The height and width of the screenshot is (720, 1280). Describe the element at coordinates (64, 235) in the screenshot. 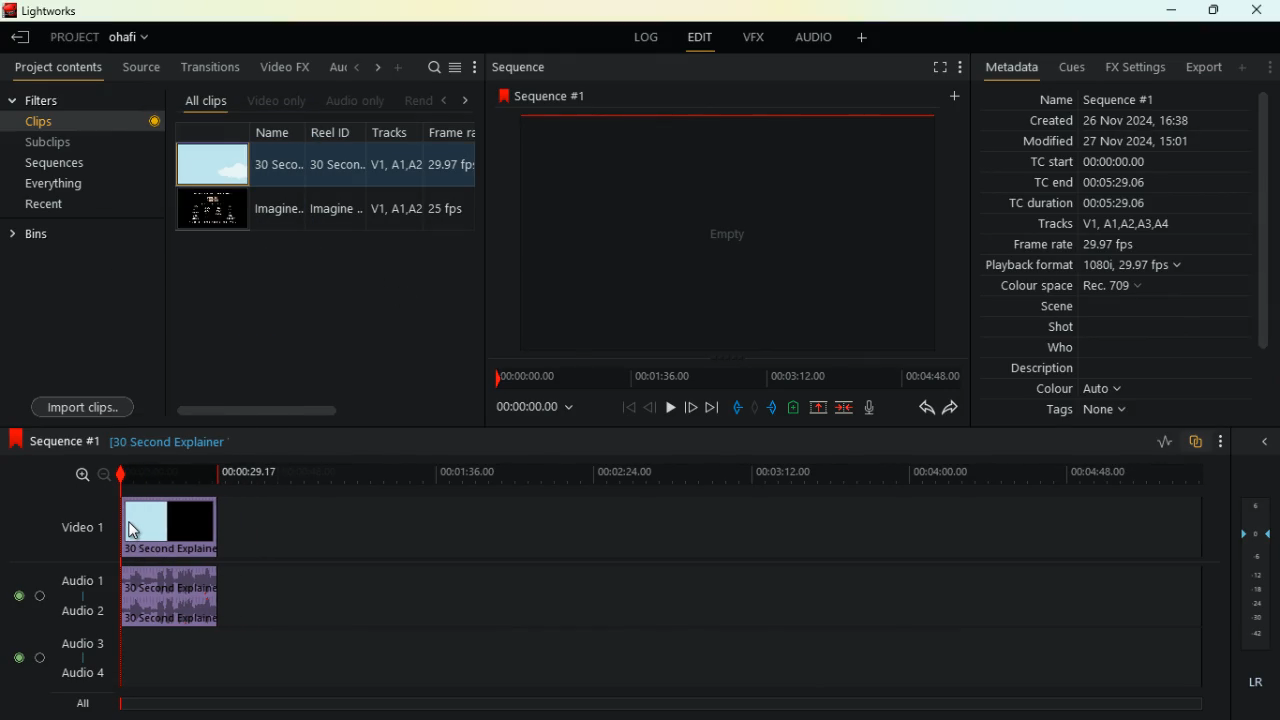

I see `bins` at that location.